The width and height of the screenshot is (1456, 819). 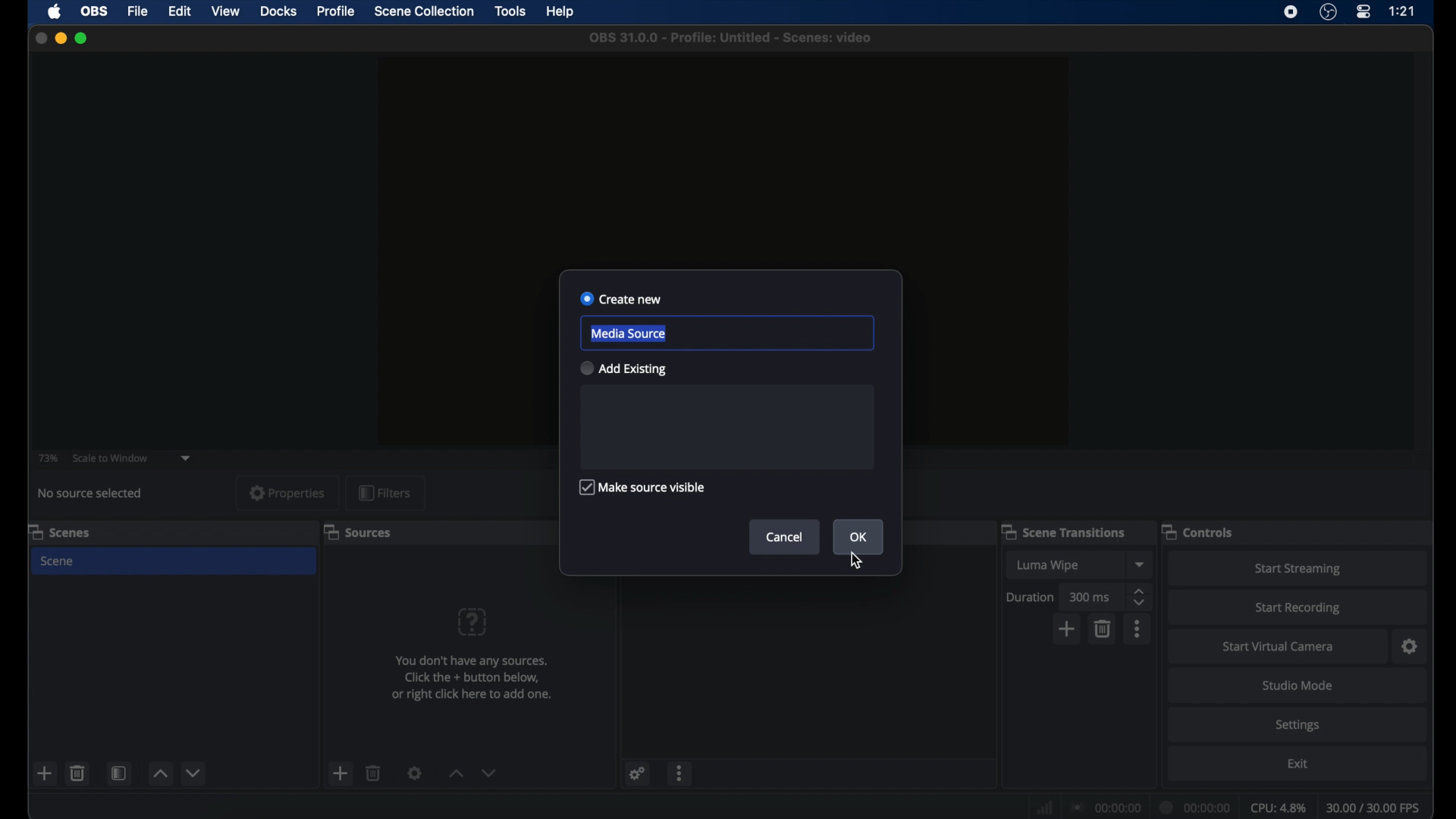 What do you see at coordinates (56, 561) in the screenshot?
I see `scene` at bounding box center [56, 561].